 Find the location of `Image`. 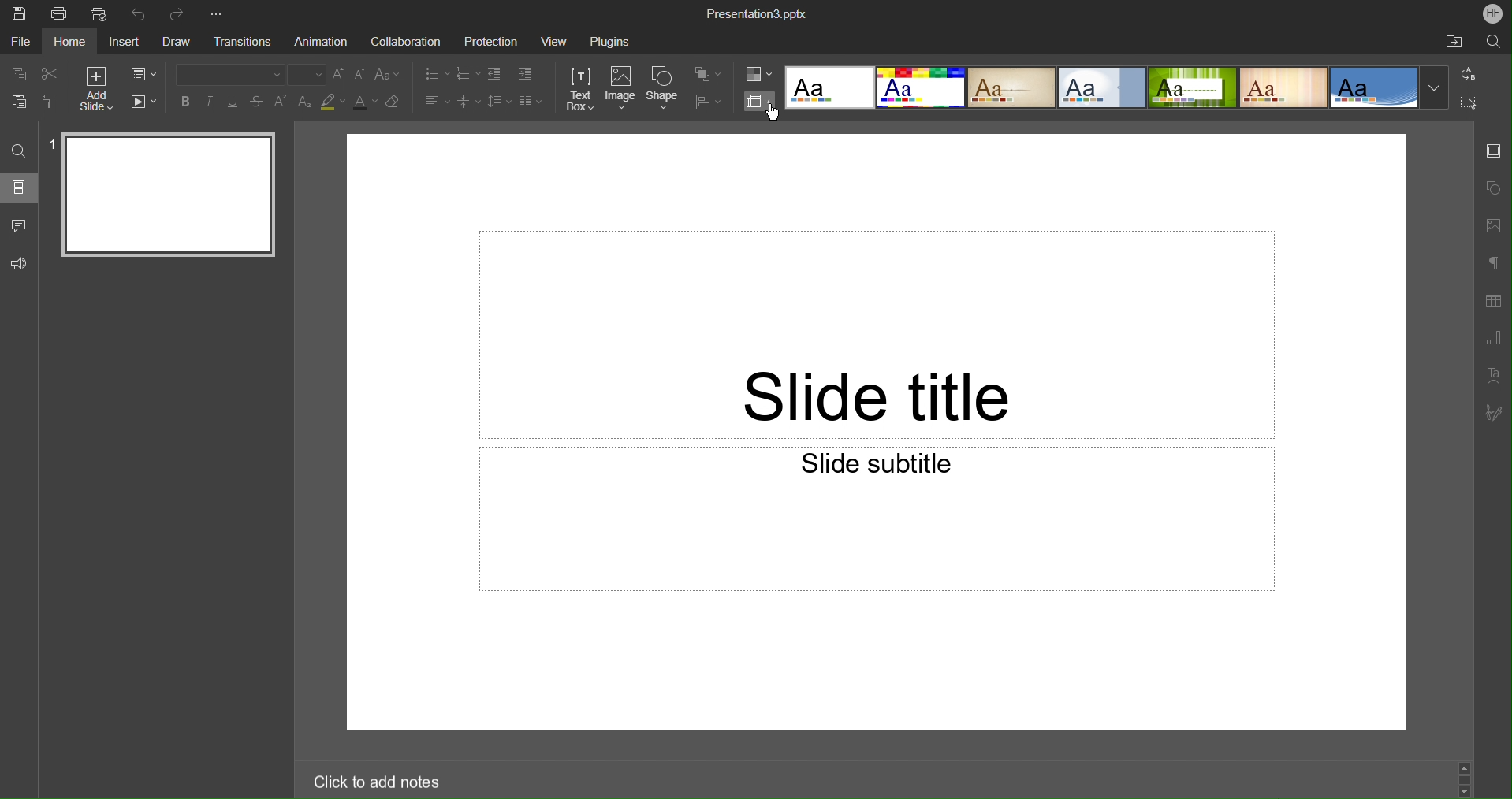

Image is located at coordinates (621, 89).